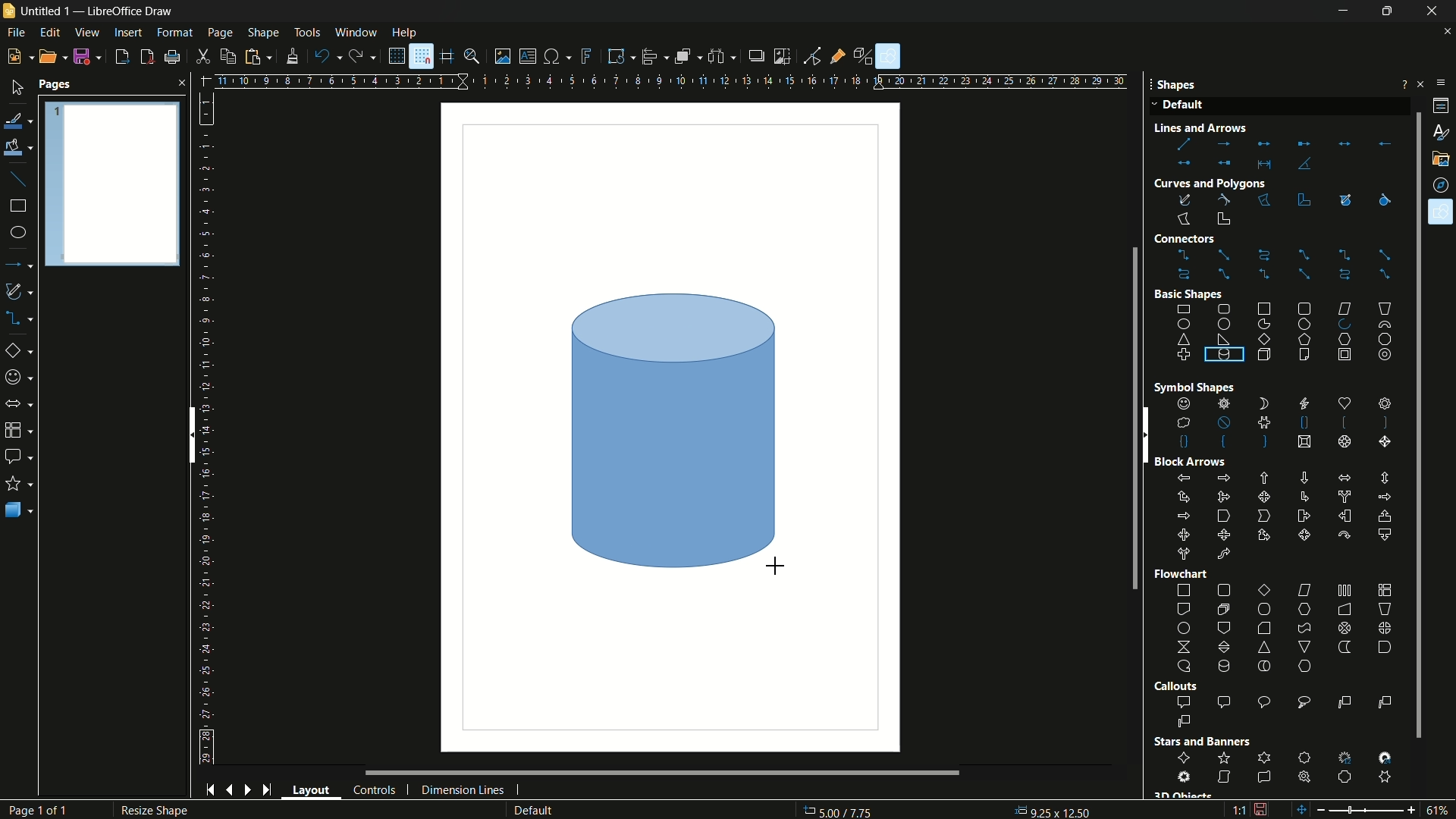 The height and width of the screenshot is (819, 1456). I want to click on tools menu, so click(307, 33).